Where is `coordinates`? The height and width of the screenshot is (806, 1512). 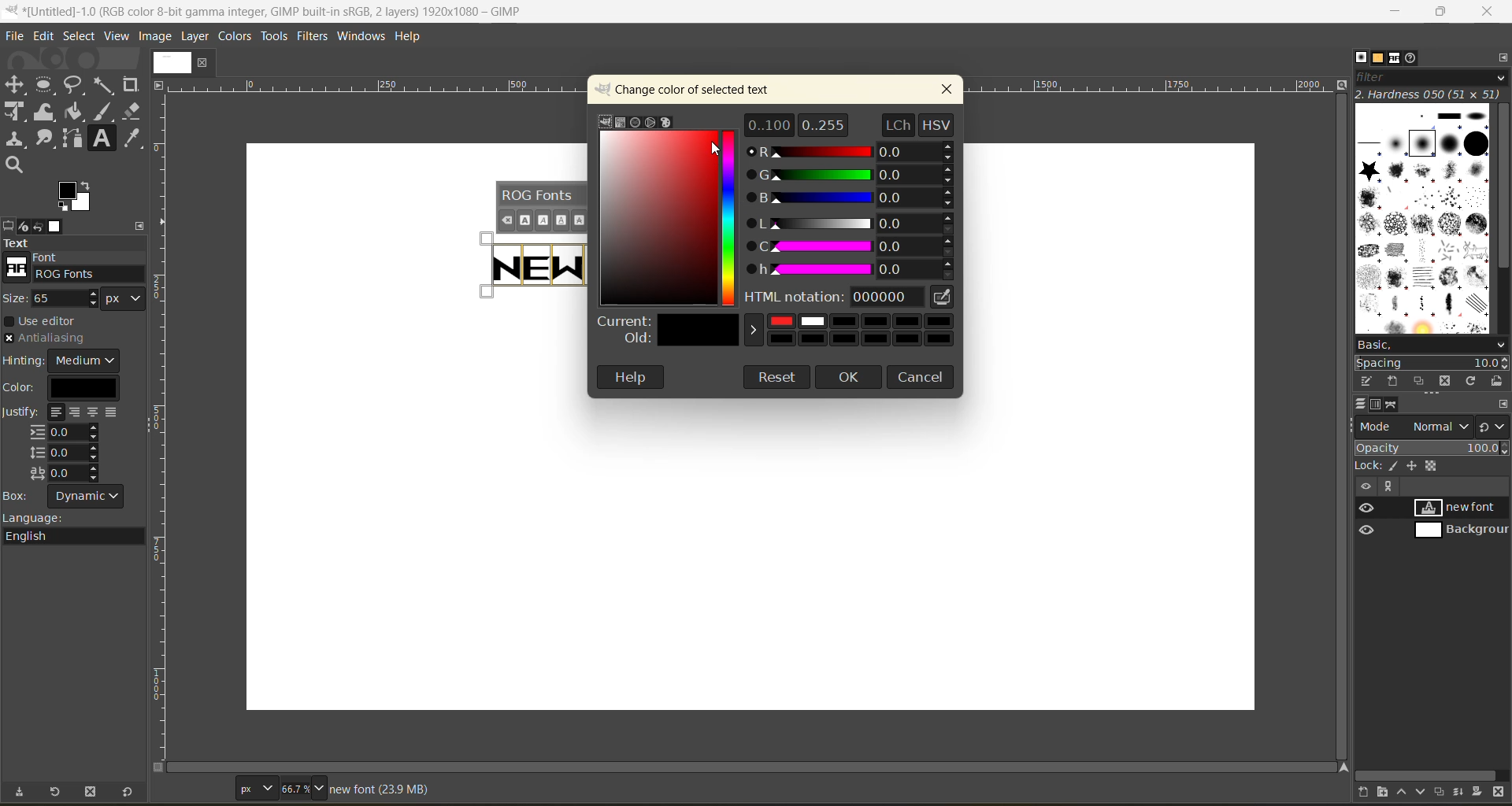 coordinates is located at coordinates (198, 786).